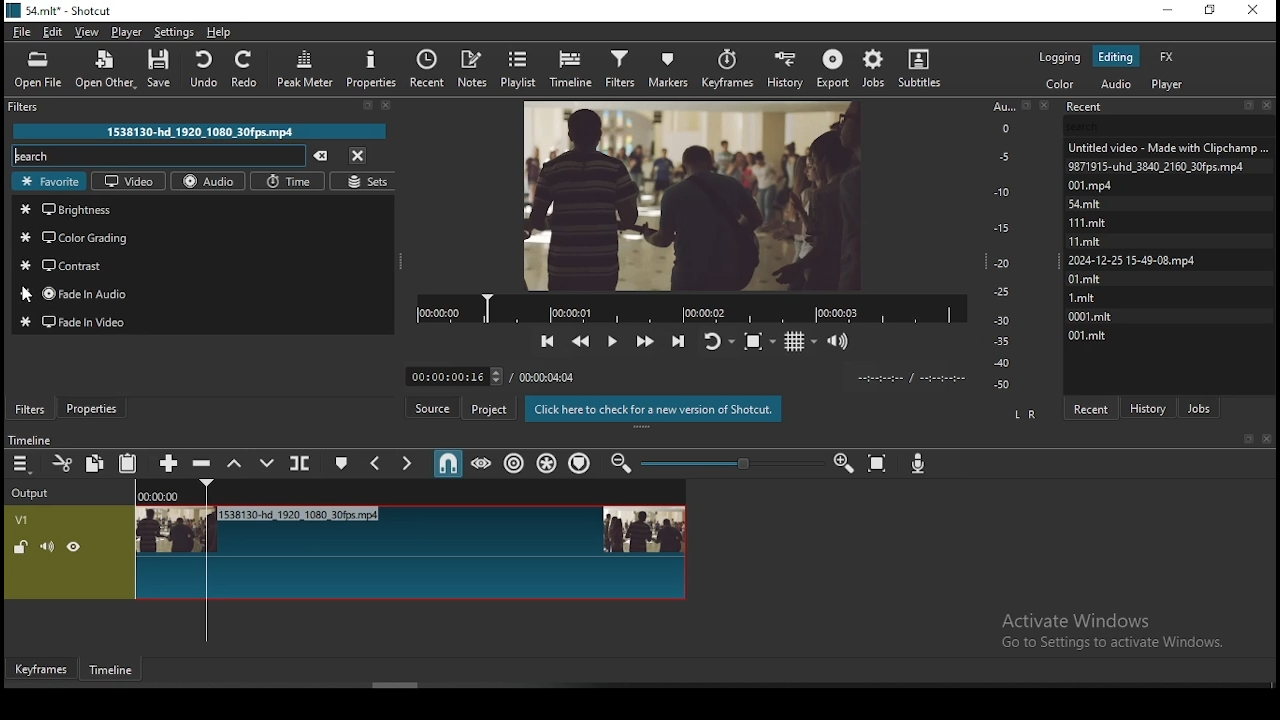 Image resolution: width=1280 pixels, height=720 pixels. I want to click on jobs, so click(1197, 406).